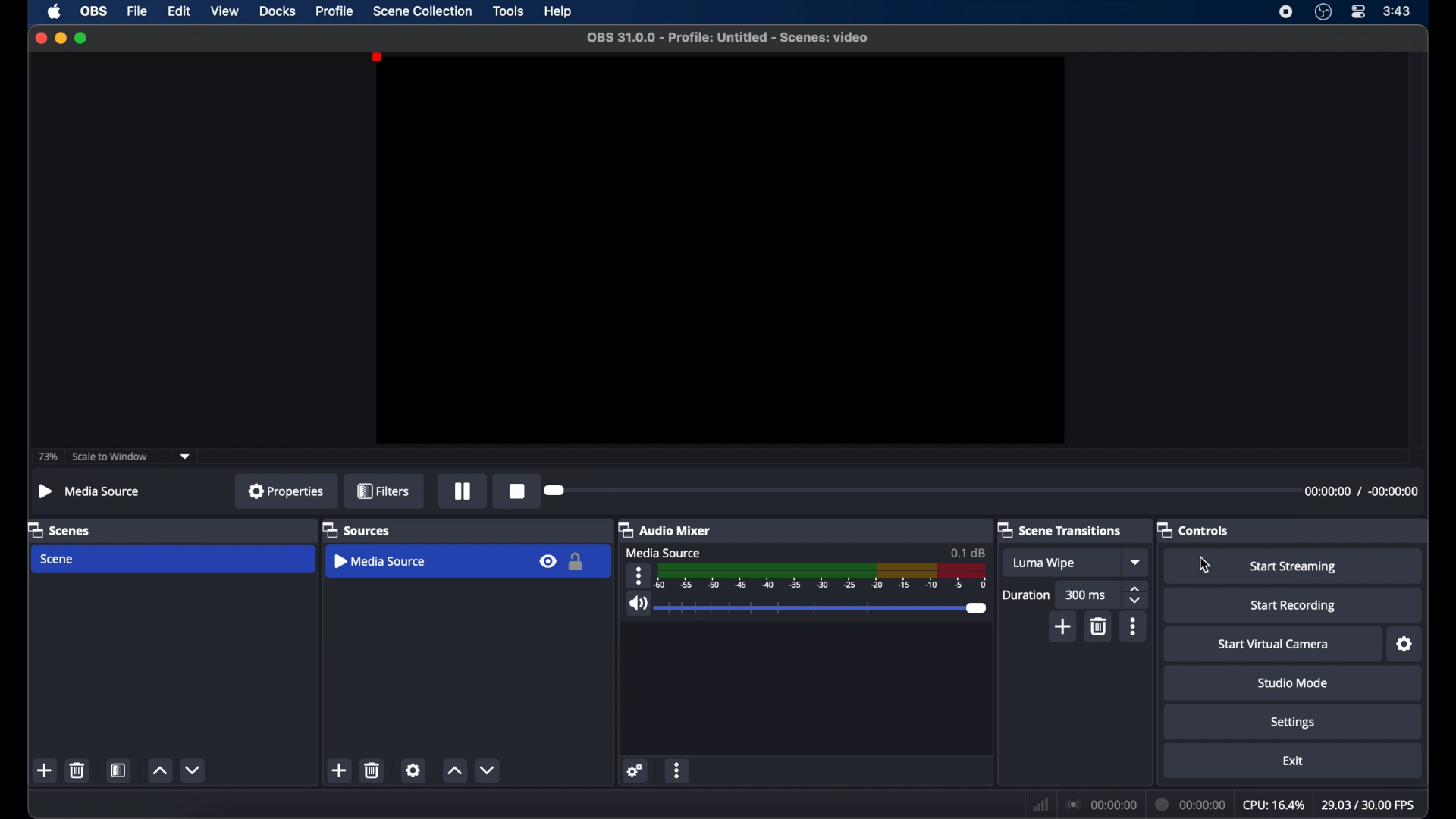 The width and height of the screenshot is (1456, 819). Describe the element at coordinates (1357, 11) in the screenshot. I see `control center` at that location.